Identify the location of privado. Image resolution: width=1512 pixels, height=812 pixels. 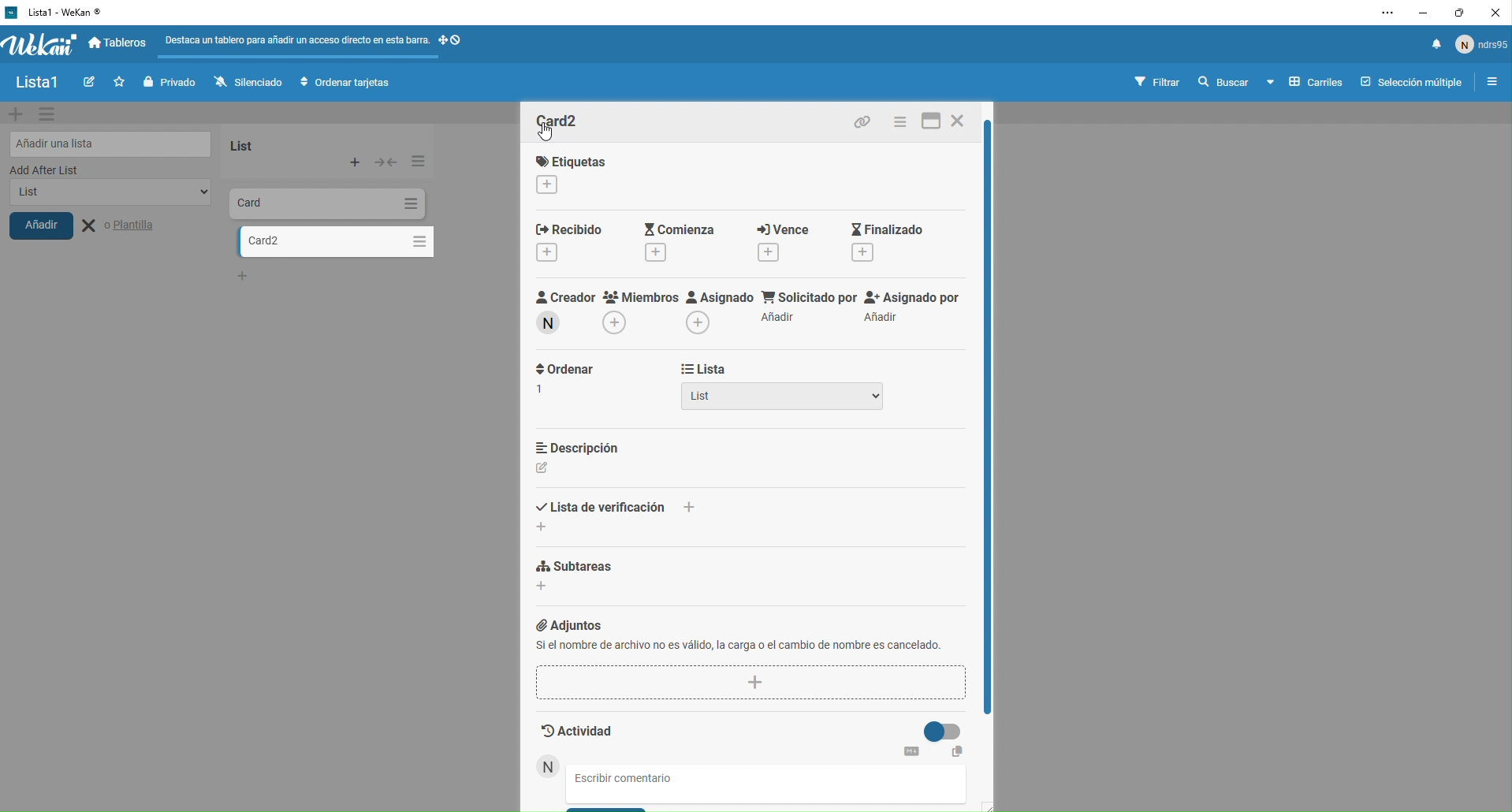
(168, 82).